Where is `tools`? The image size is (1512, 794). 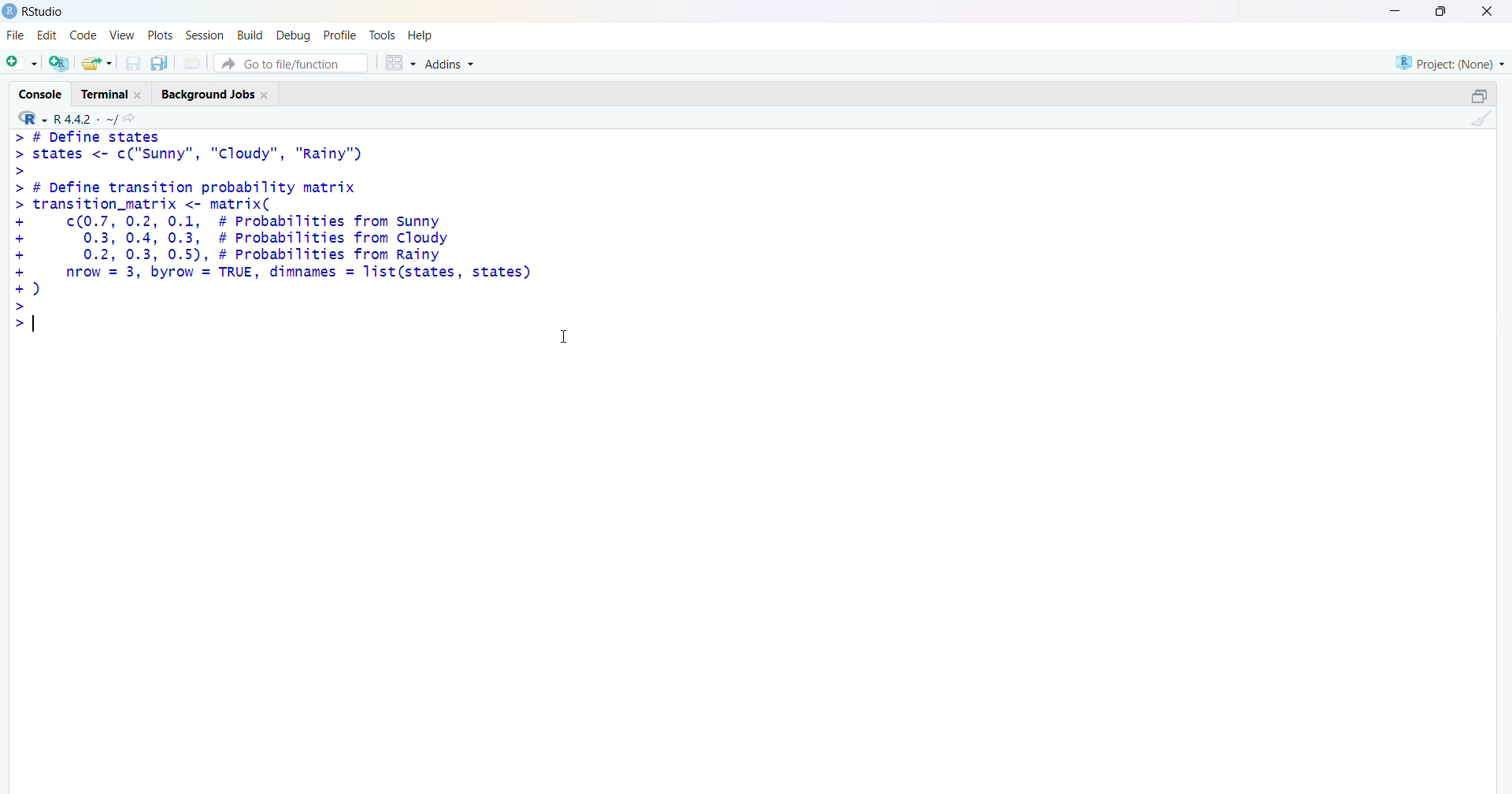 tools is located at coordinates (384, 33).